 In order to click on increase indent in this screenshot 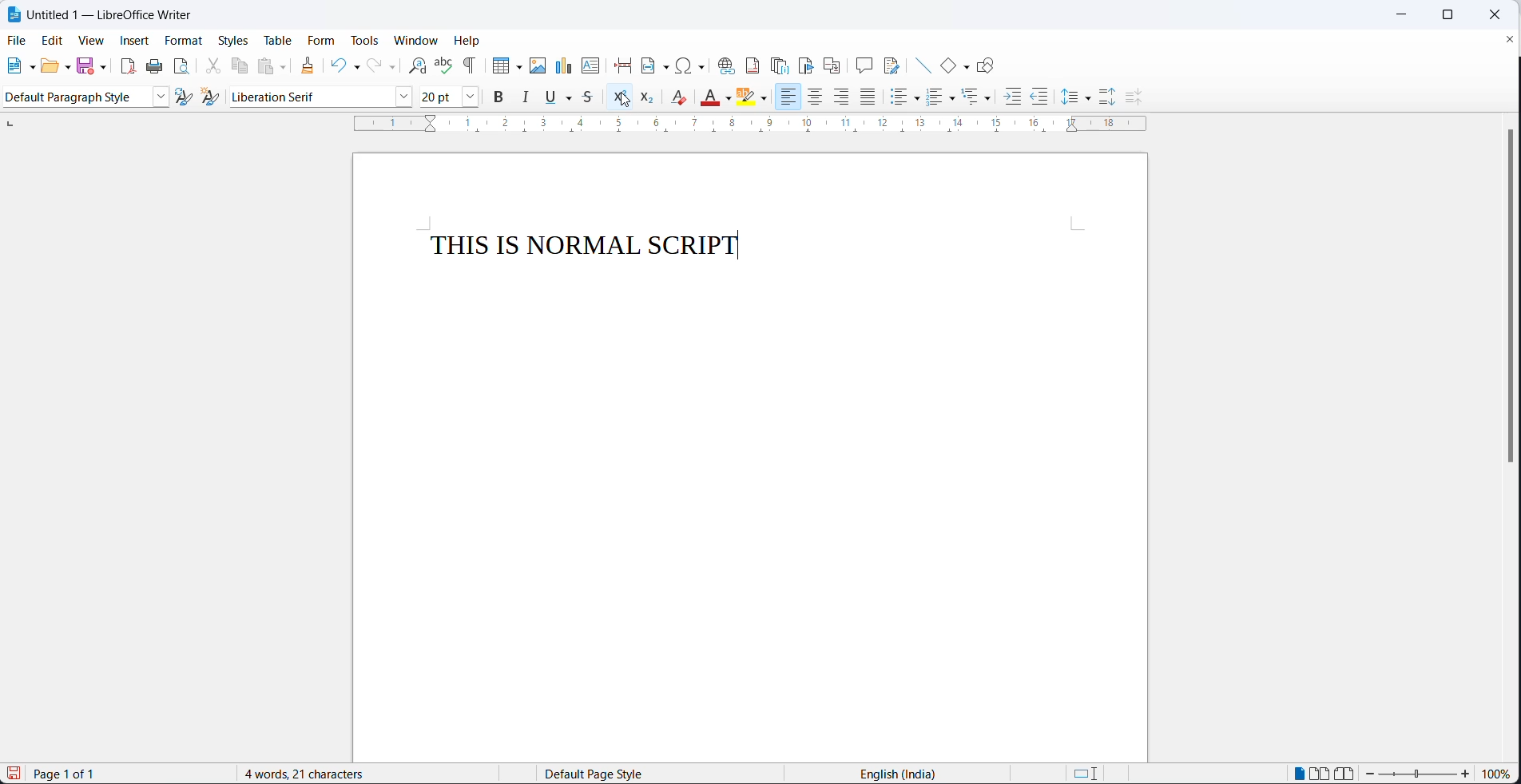, I will do `click(1011, 98)`.